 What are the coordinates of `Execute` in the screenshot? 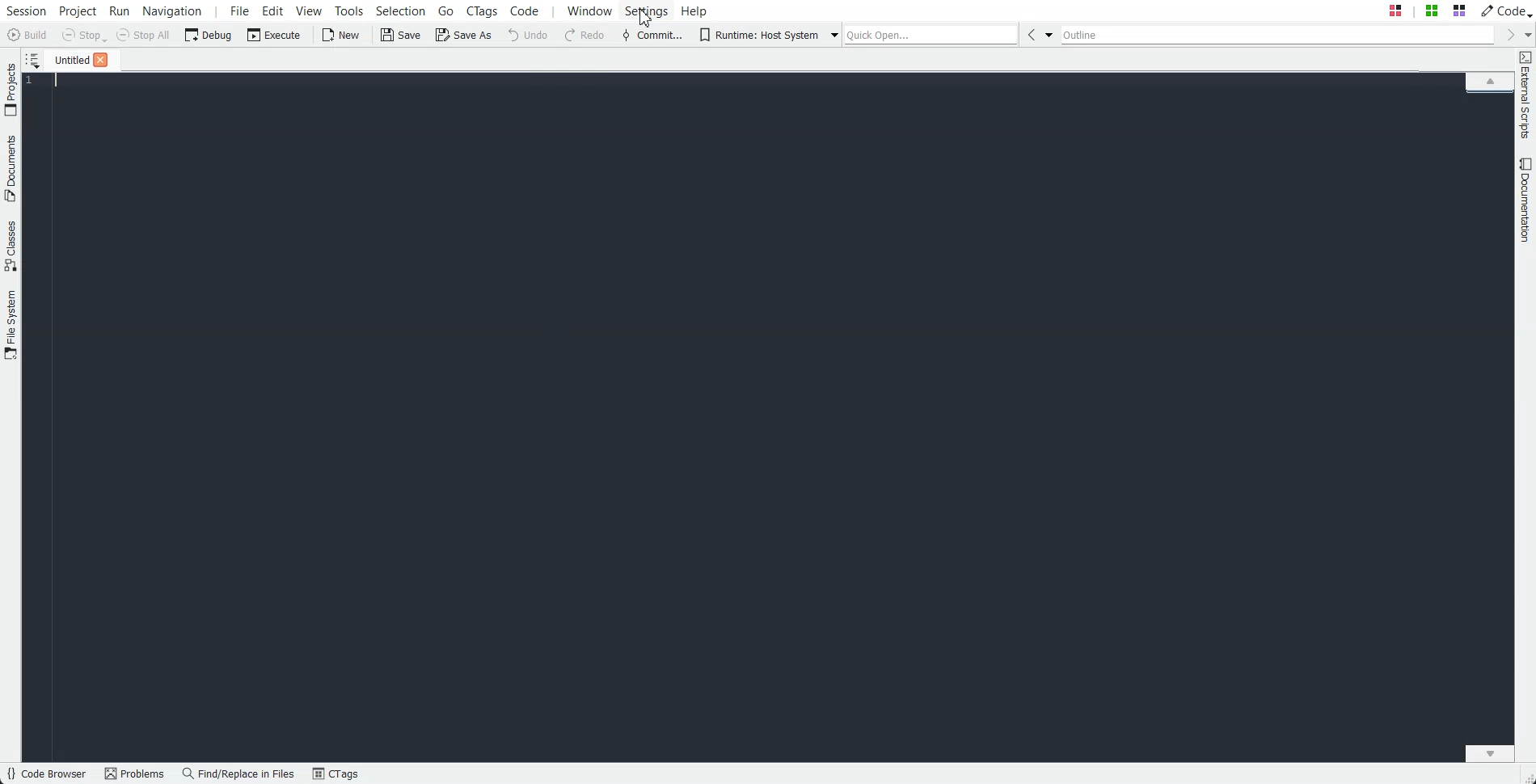 It's located at (274, 34).